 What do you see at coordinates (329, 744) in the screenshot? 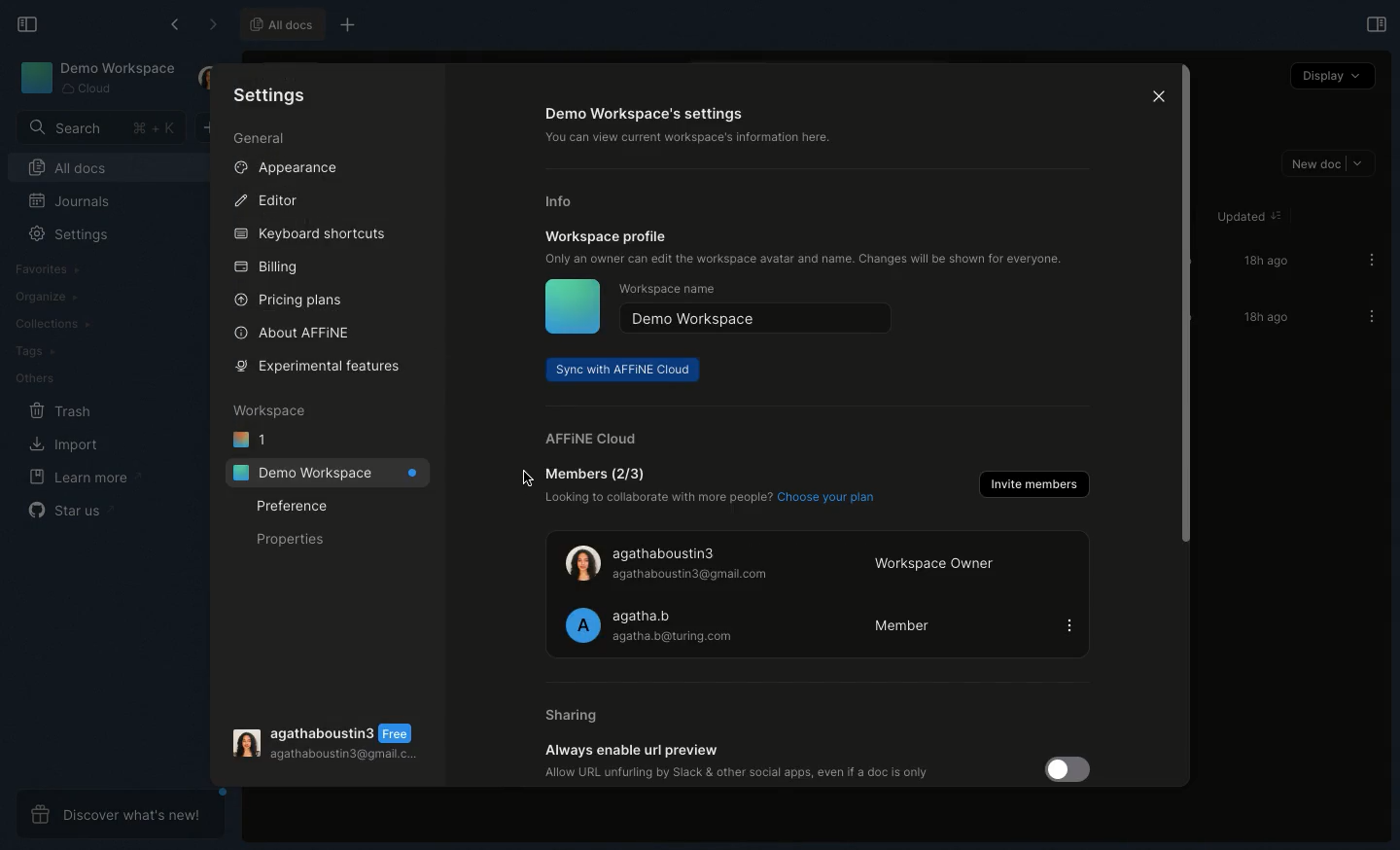
I see `Member email` at bounding box center [329, 744].